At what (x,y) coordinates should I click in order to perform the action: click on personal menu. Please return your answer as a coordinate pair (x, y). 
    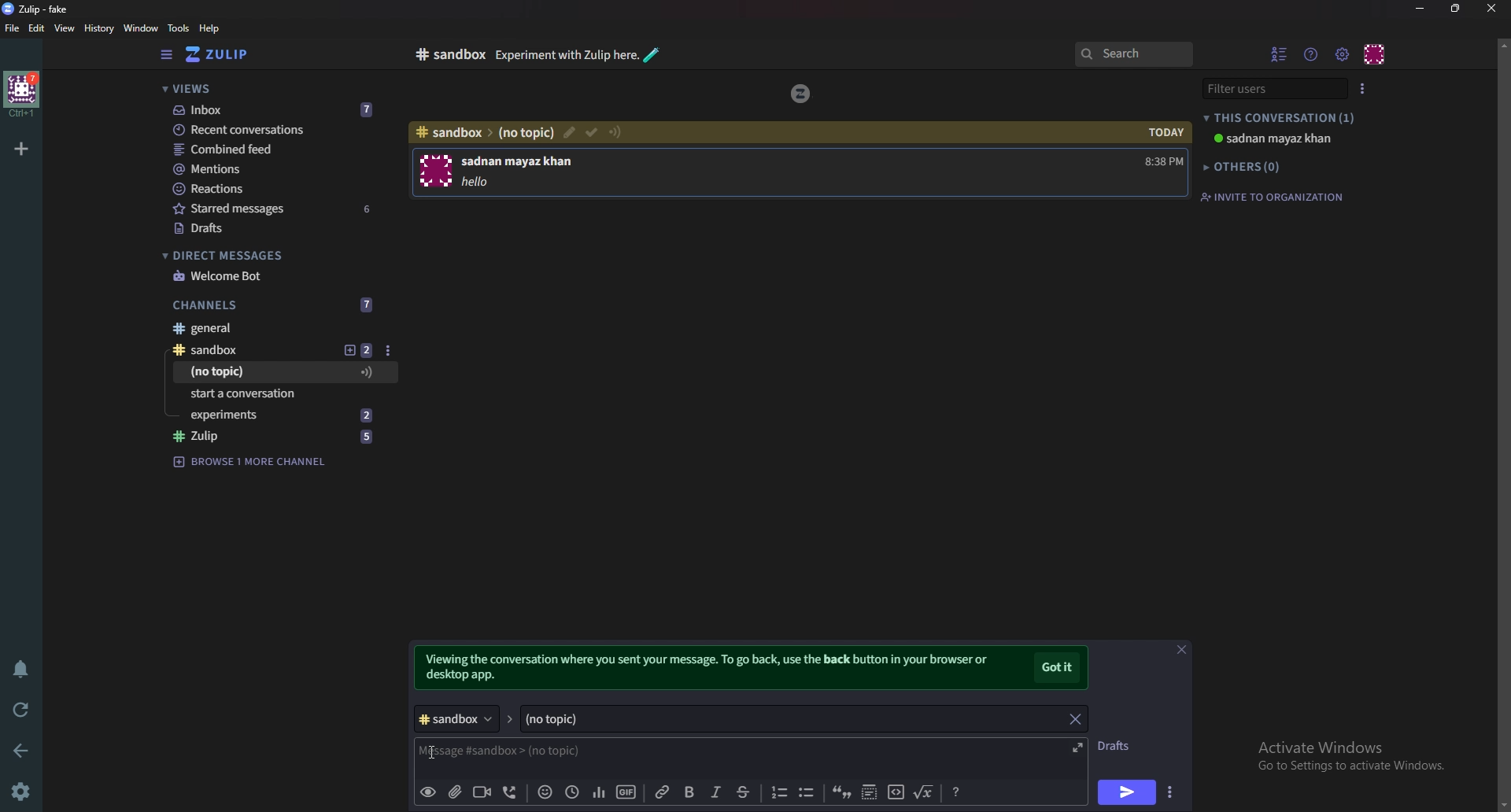
    Looking at the image, I should click on (1376, 53).